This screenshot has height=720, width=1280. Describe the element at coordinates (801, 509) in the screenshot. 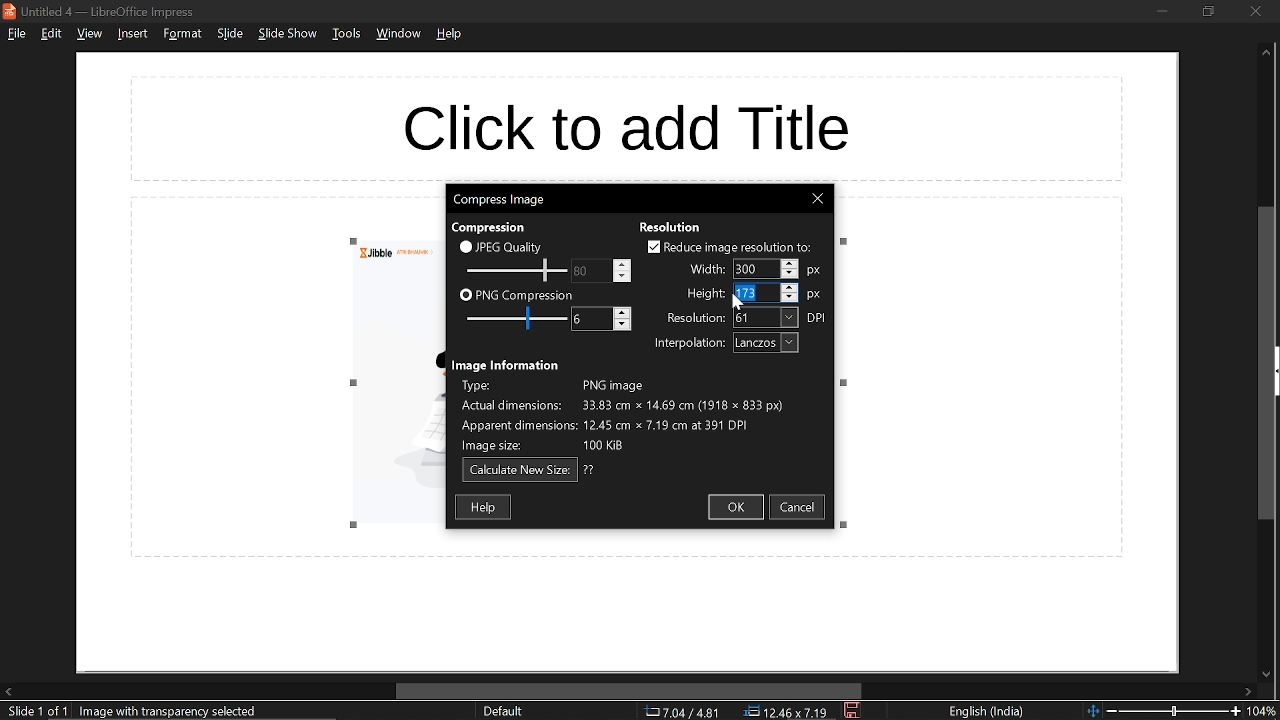

I see `cancel` at that location.